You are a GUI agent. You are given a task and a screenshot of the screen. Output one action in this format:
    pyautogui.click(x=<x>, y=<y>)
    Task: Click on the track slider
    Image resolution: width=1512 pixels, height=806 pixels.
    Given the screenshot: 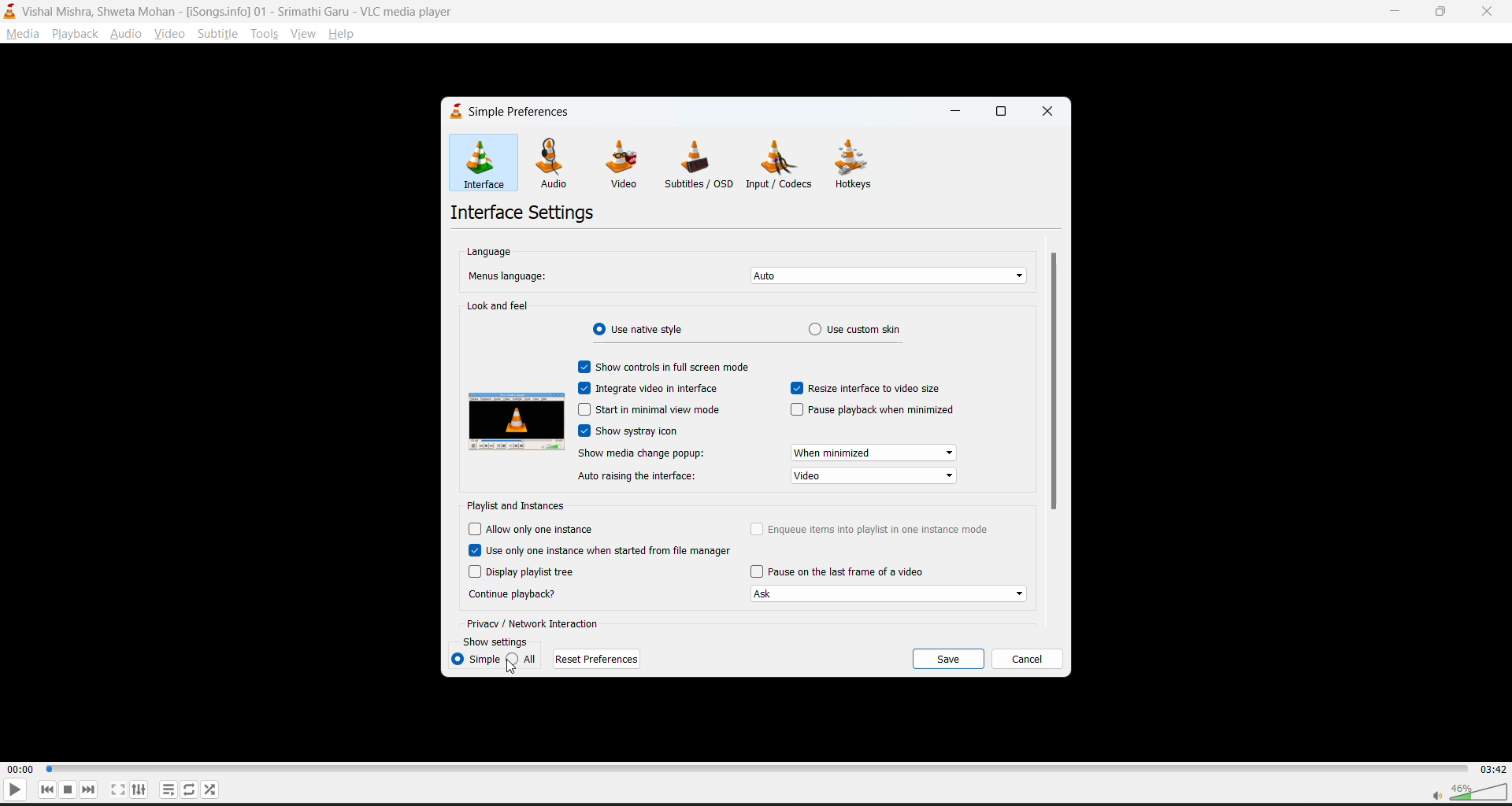 What is the action you would take?
    pyautogui.click(x=754, y=767)
    